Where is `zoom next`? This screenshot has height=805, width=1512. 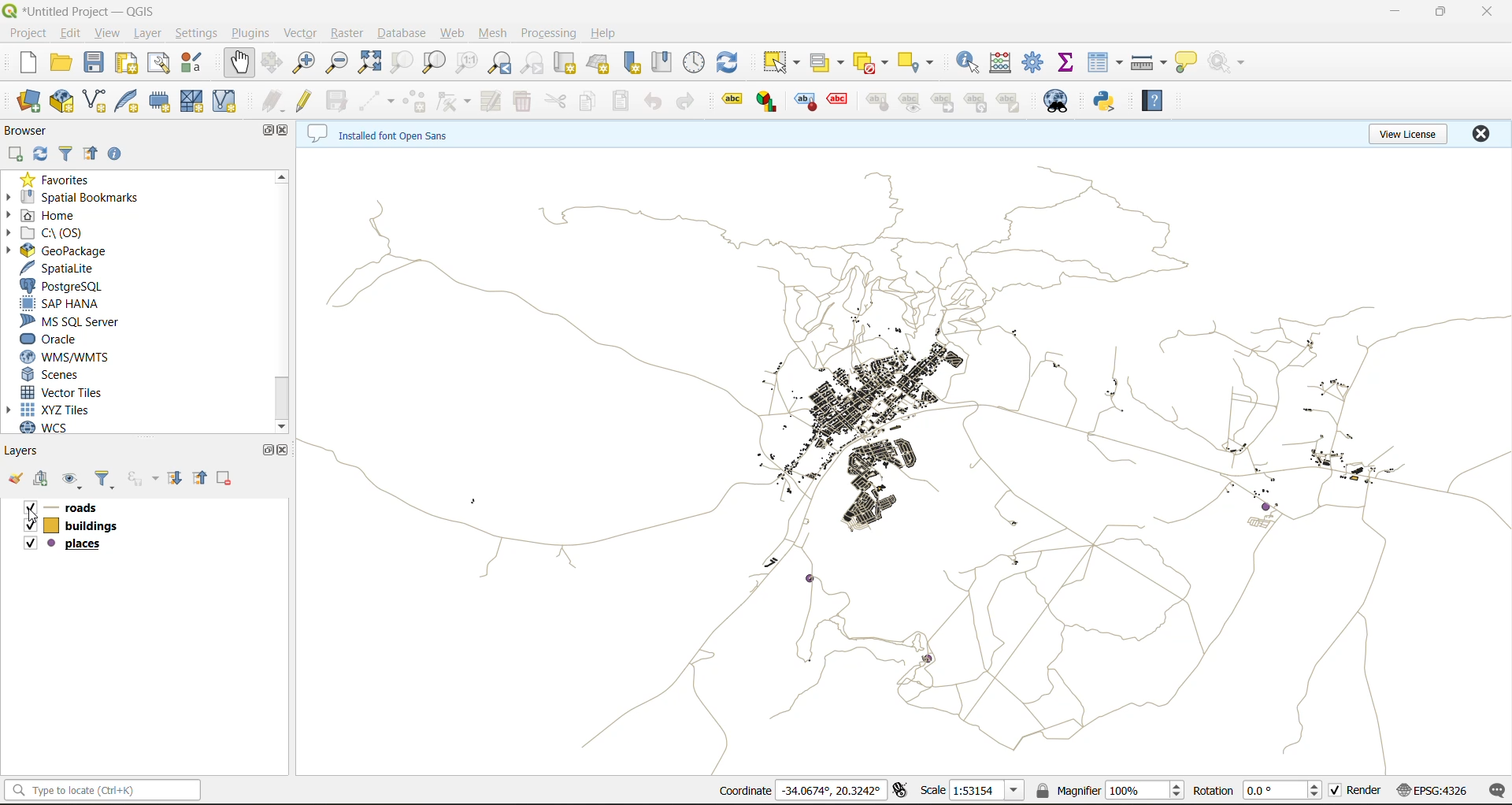 zoom next is located at coordinates (535, 63).